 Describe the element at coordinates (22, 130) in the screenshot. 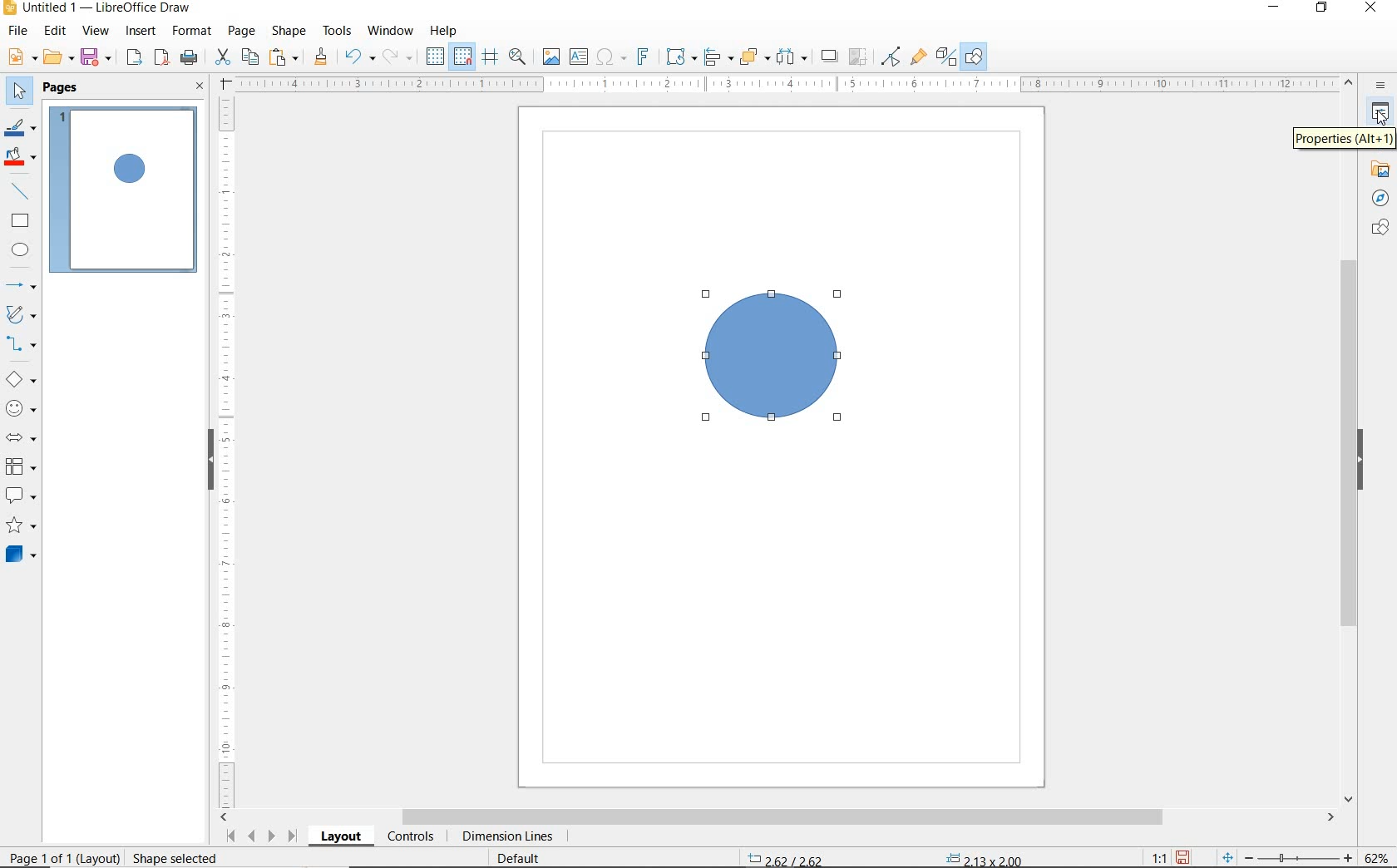

I see `LINE COLOR` at that location.